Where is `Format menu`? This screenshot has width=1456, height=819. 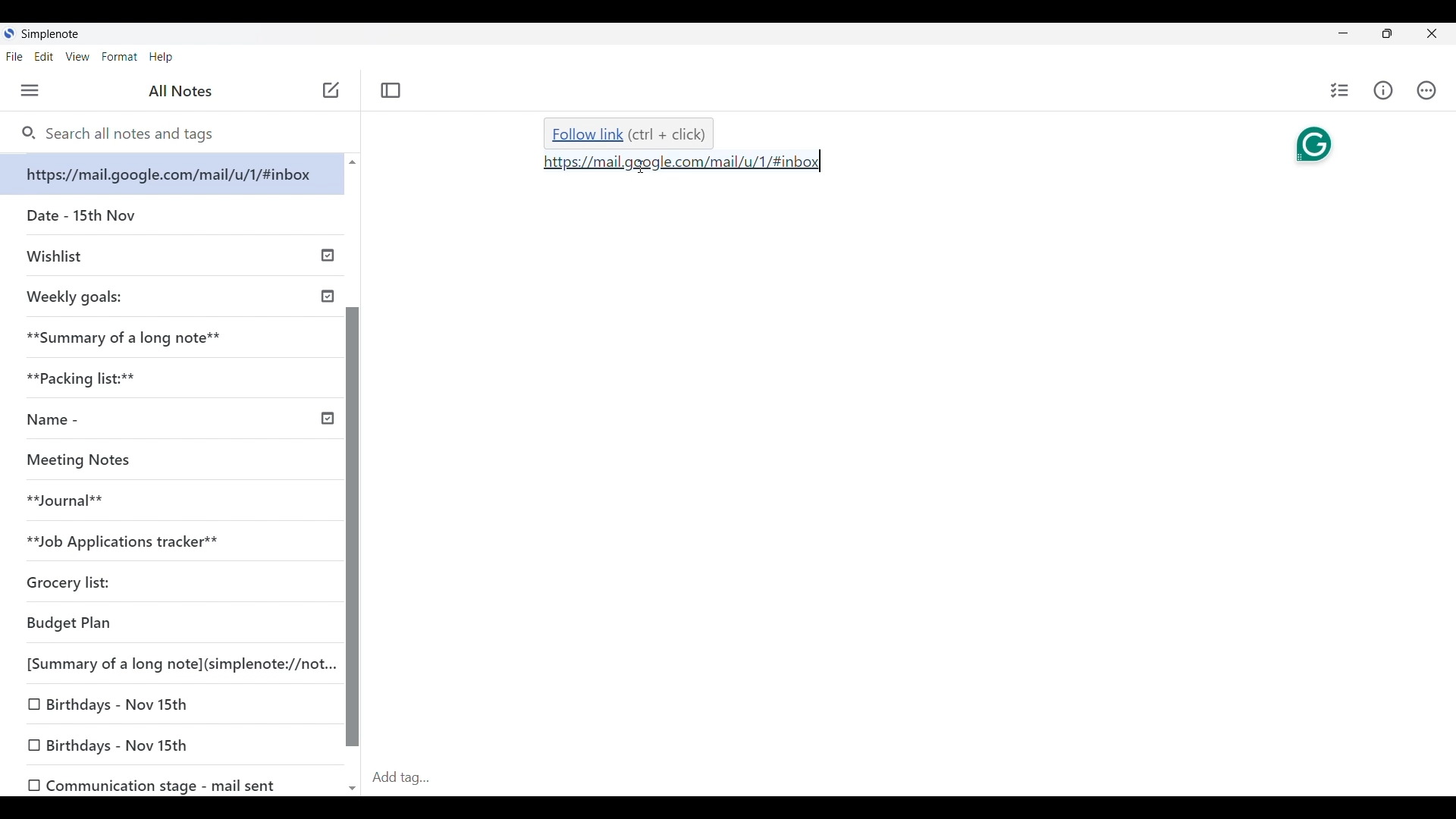
Format menu is located at coordinates (119, 57).